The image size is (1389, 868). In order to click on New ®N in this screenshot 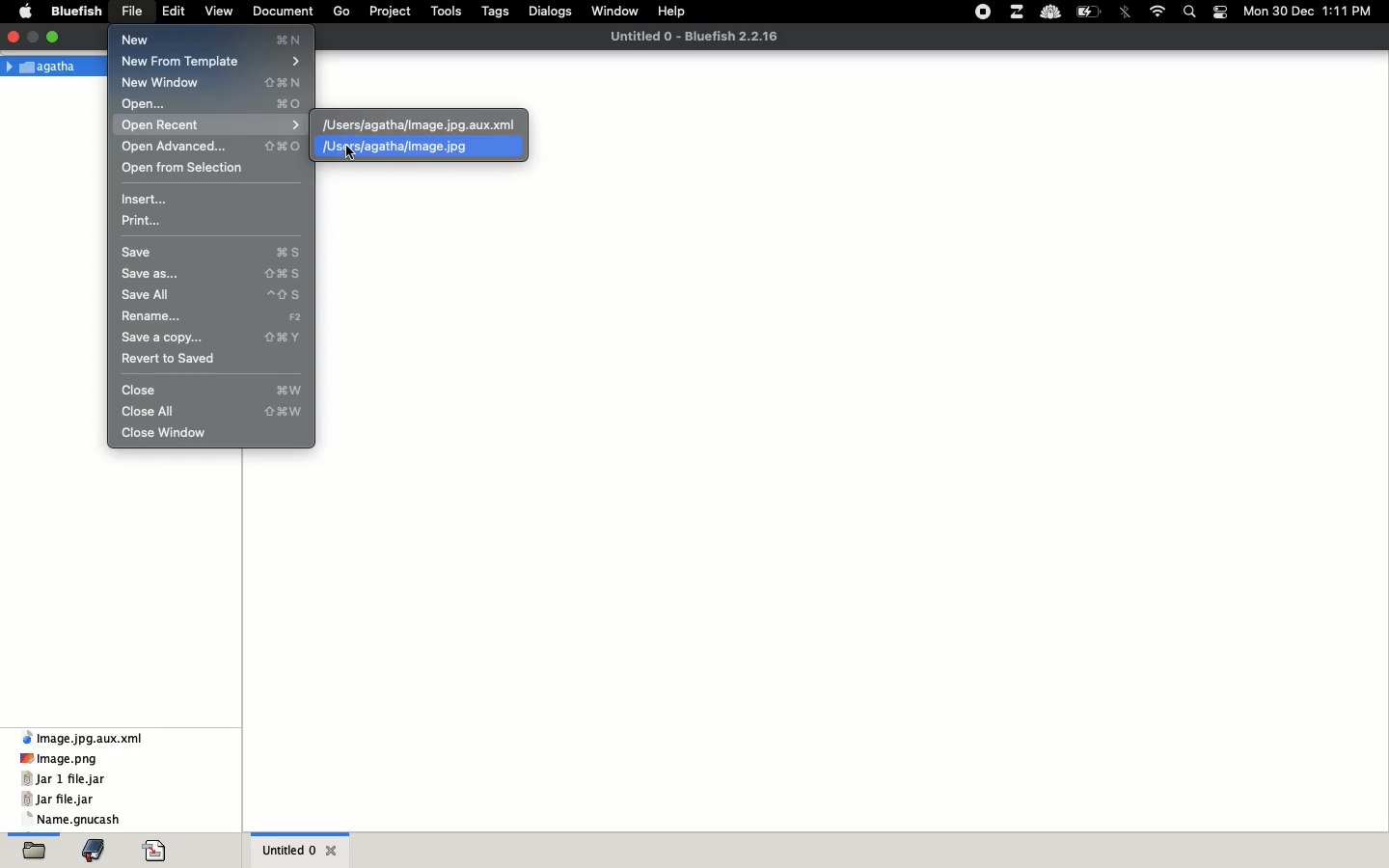, I will do `click(207, 40)`.